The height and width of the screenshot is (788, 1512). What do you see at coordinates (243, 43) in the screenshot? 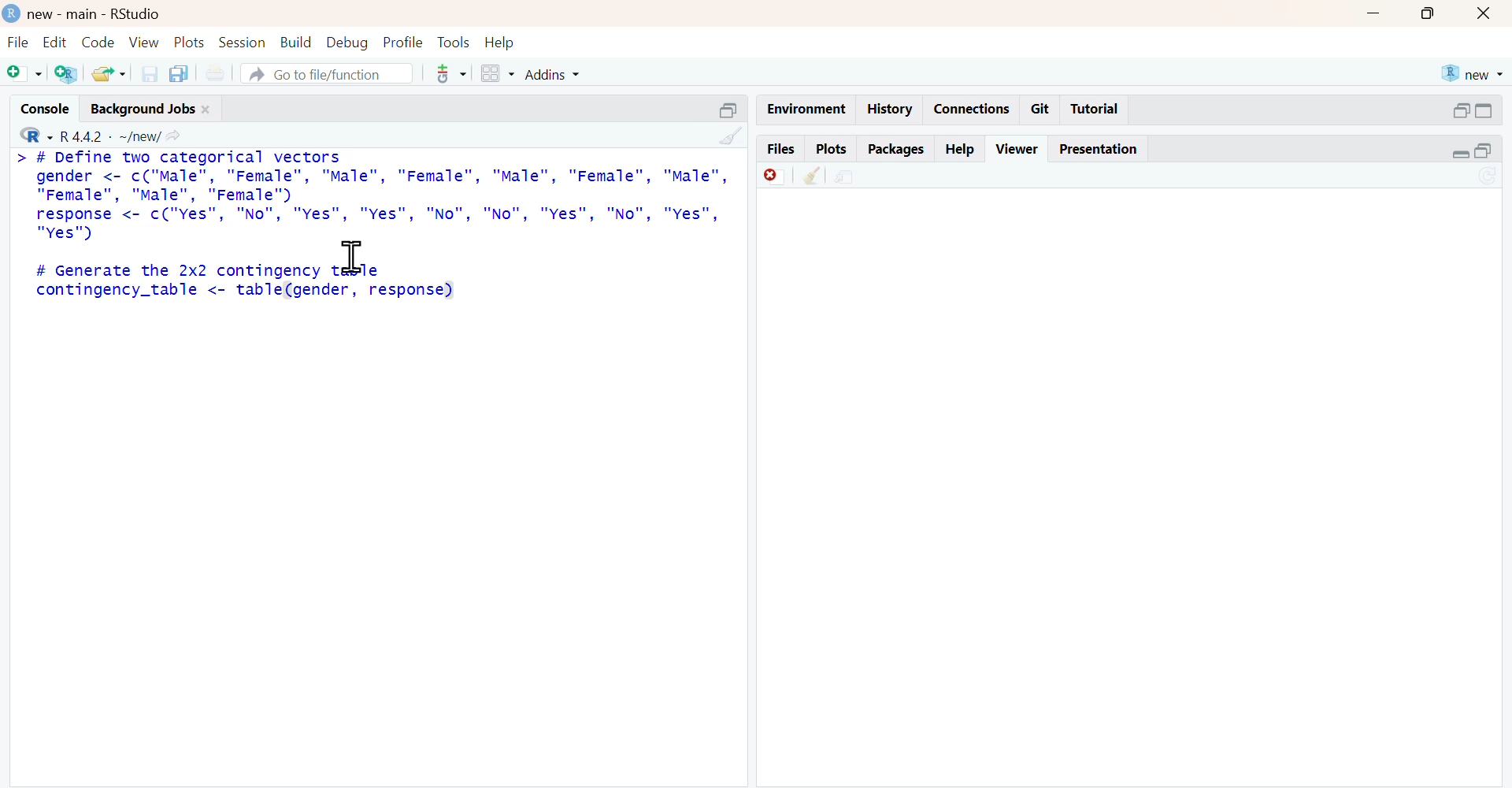
I see `session` at bounding box center [243, 43].